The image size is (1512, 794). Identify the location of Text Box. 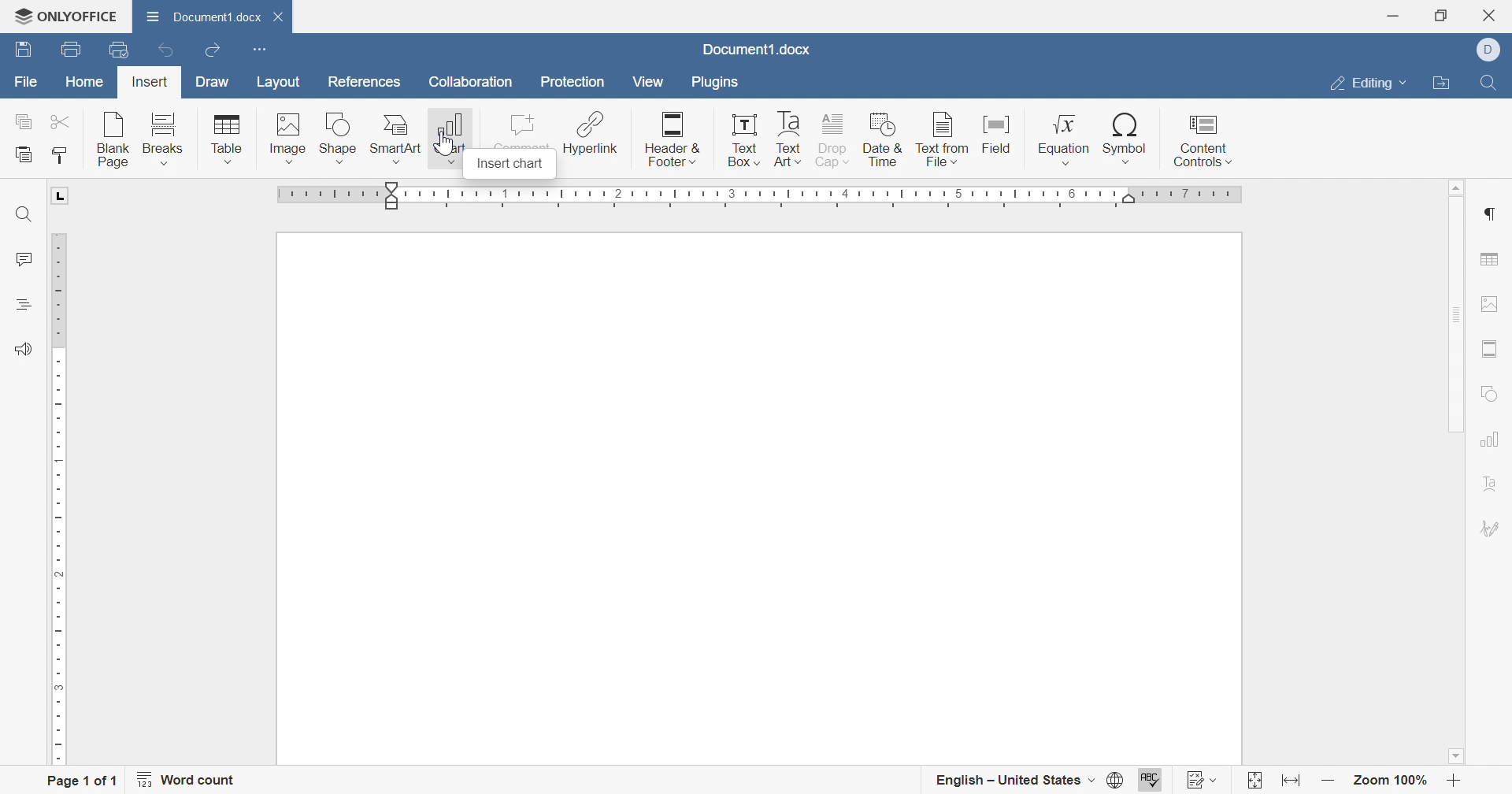
(745, 141).